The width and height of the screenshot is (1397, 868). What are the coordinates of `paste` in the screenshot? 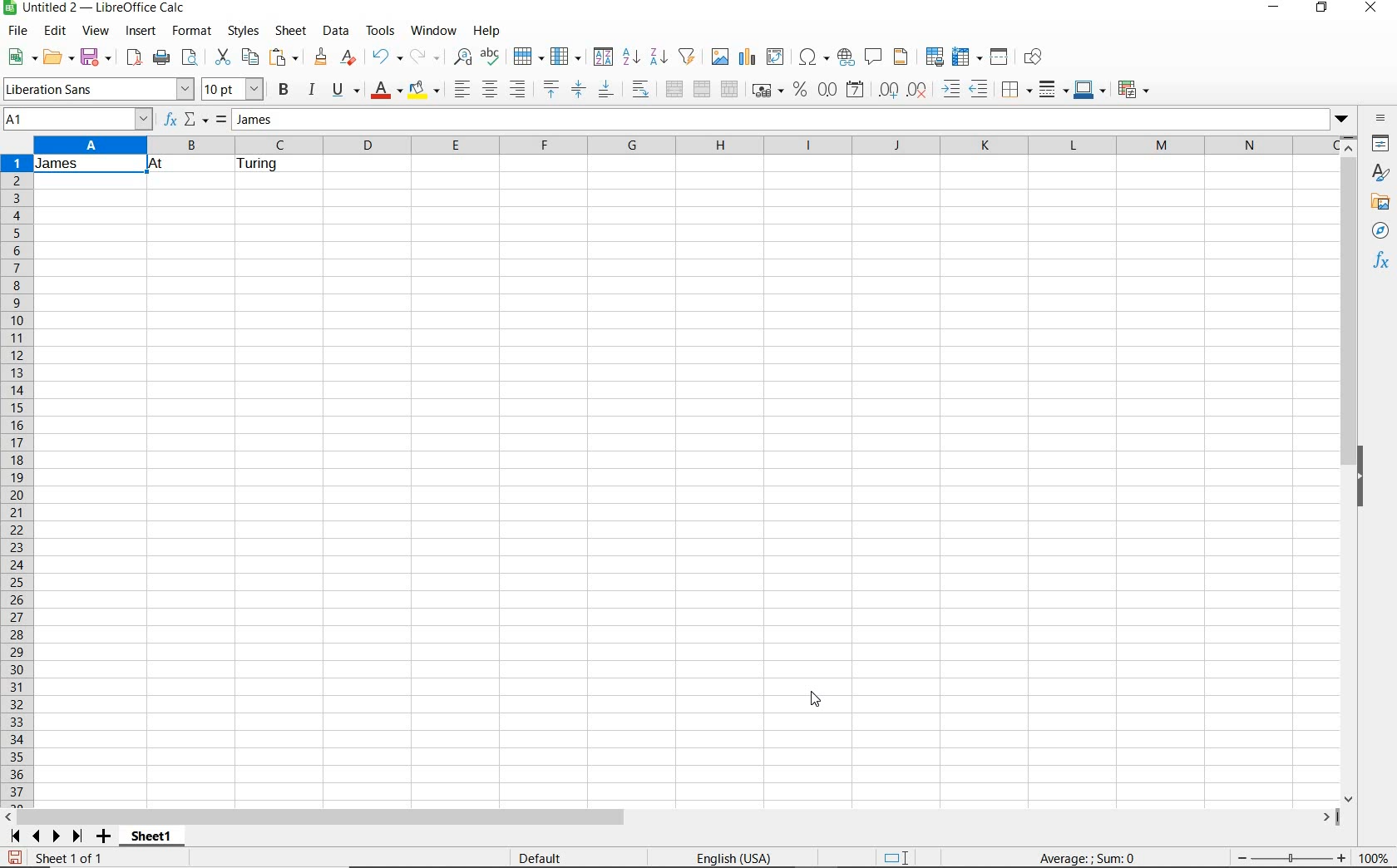 It's located at (284, 57).